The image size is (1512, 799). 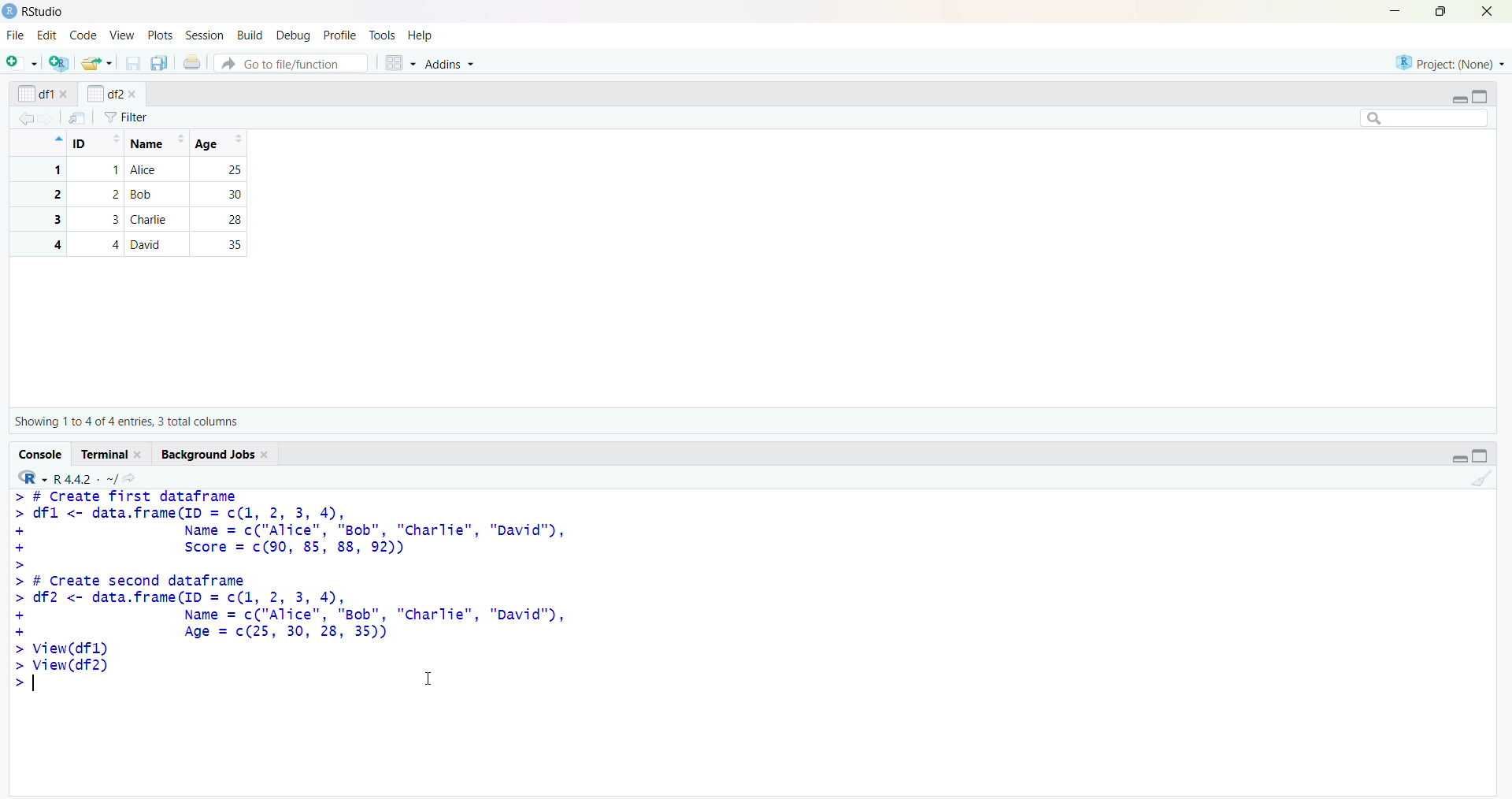 What do you see at coordinates (193, 61) in the screenshot?
I see `print` at bounding box center [193, 61].